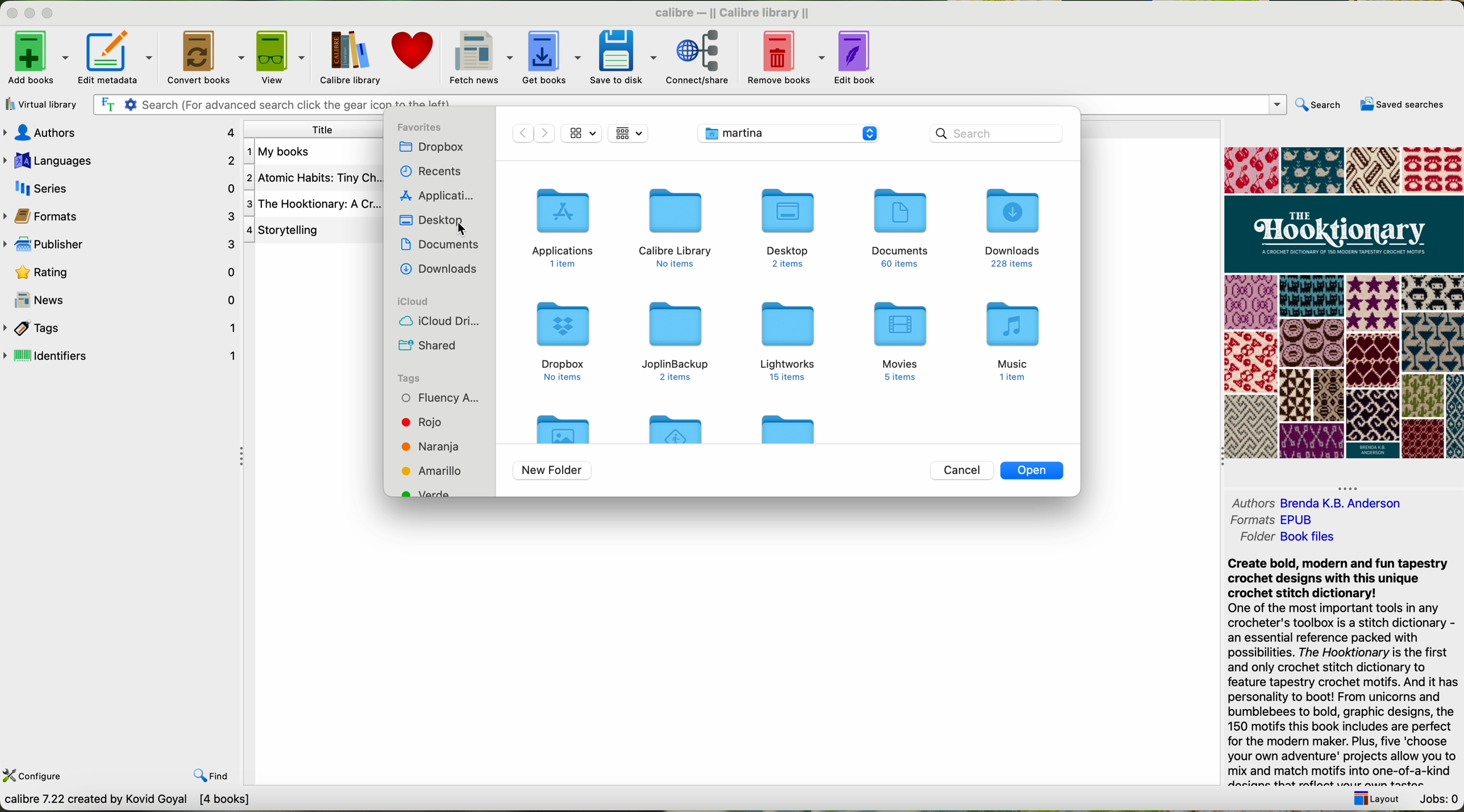  What do you see at coordinates (432, 470) in the screenshot?
I see `yellow tag` at bounding box center [432, 470].